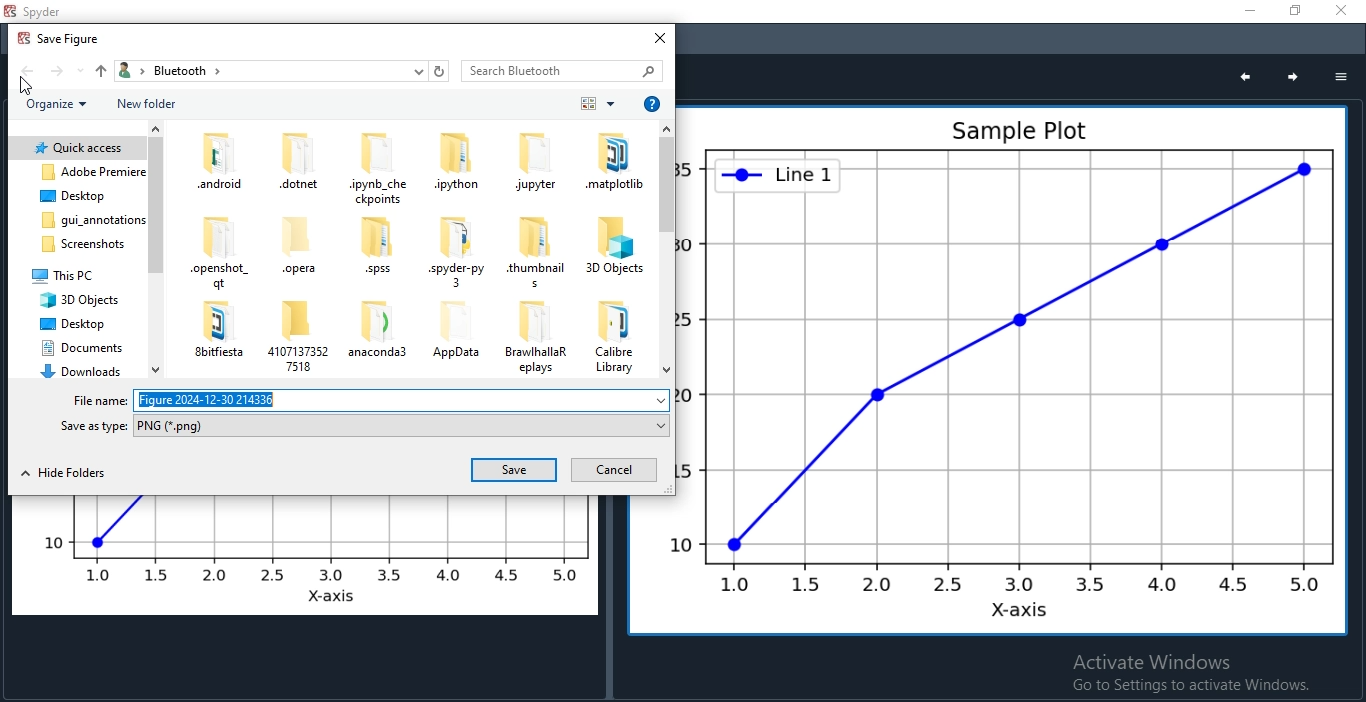 Image resolution: width=1366 pixels, height=702 pixels. Describe the element at coordinates (299, 336) in the screenshot. I see `files` at that location.